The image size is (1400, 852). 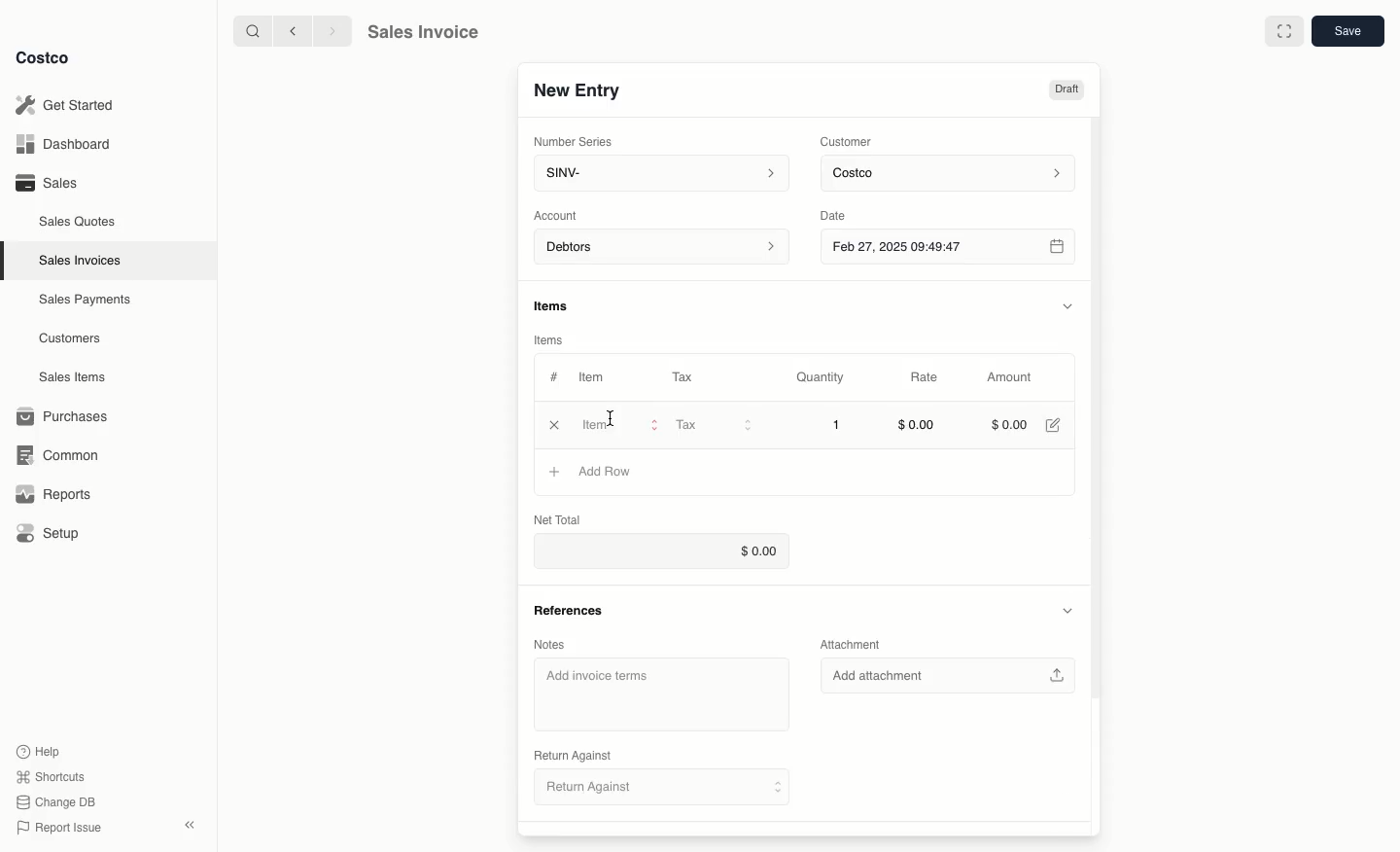 What do you see at coordinates (1347, 32) in the screenshot?
I see `Save` at bounding box center [1347, 32].